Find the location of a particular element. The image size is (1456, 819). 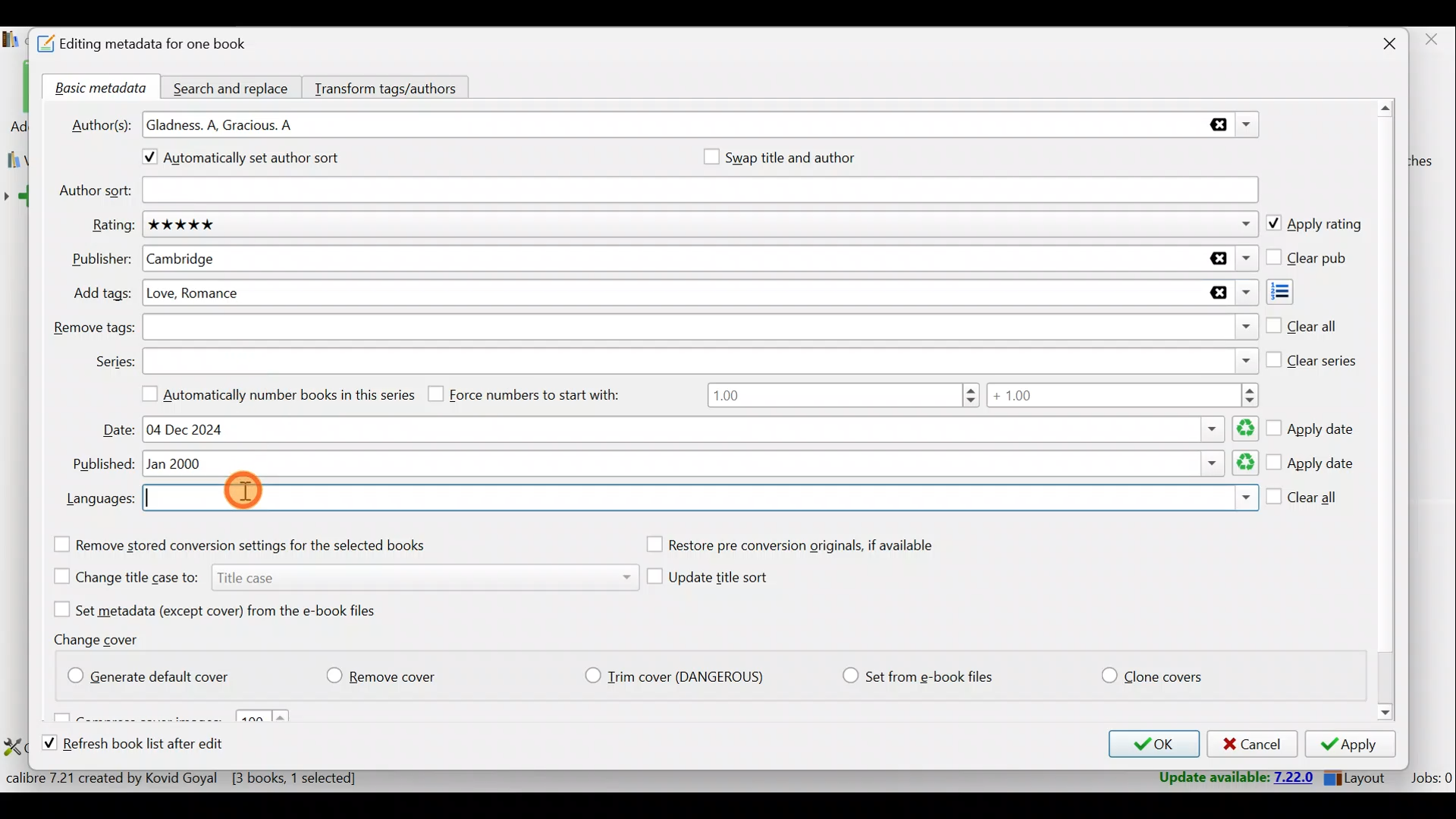

Publisher: is located at coordinates (102, 259).